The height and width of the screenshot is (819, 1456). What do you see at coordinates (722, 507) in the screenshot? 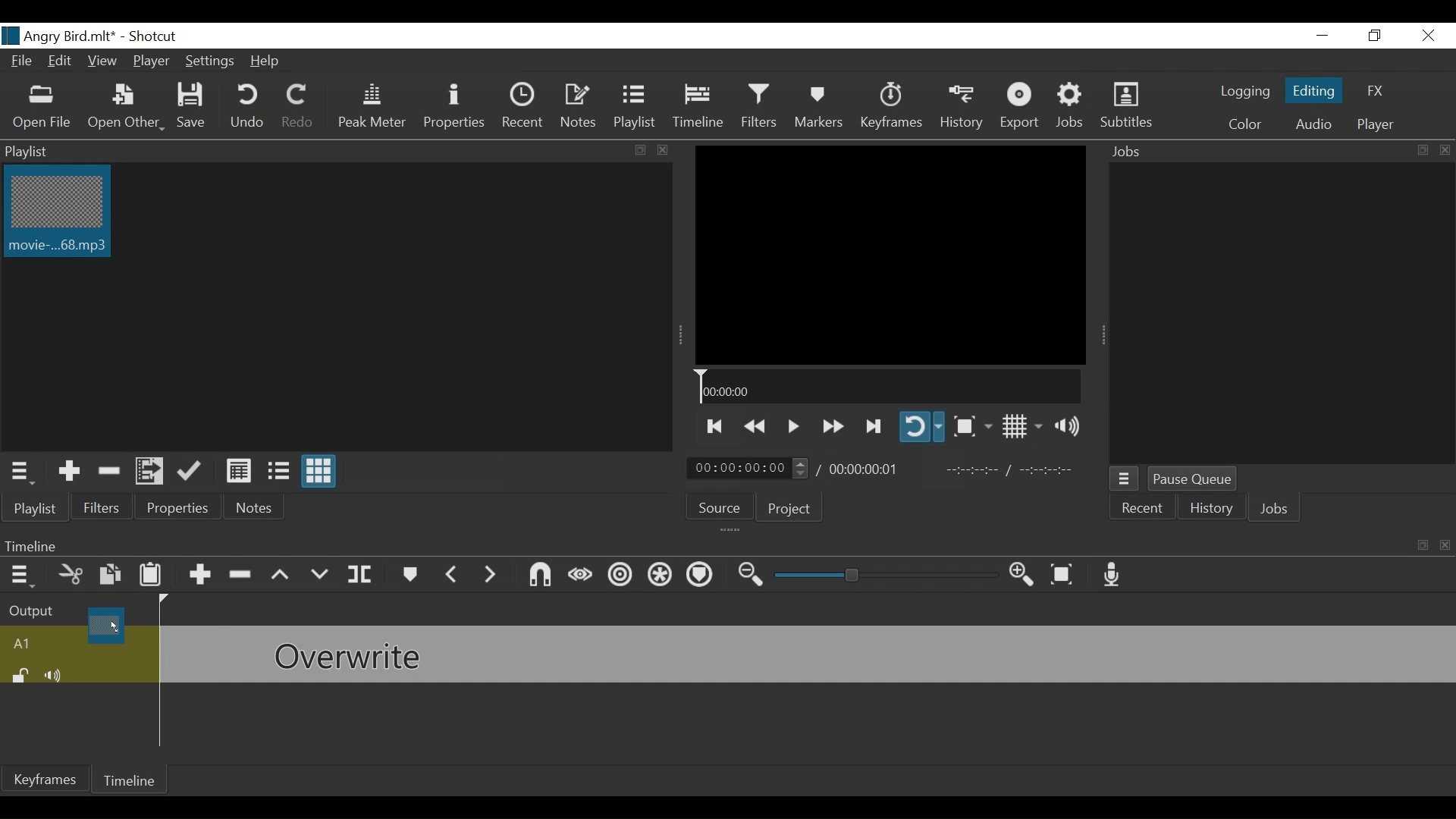
I see `Source` at bounding box center [722, 507].